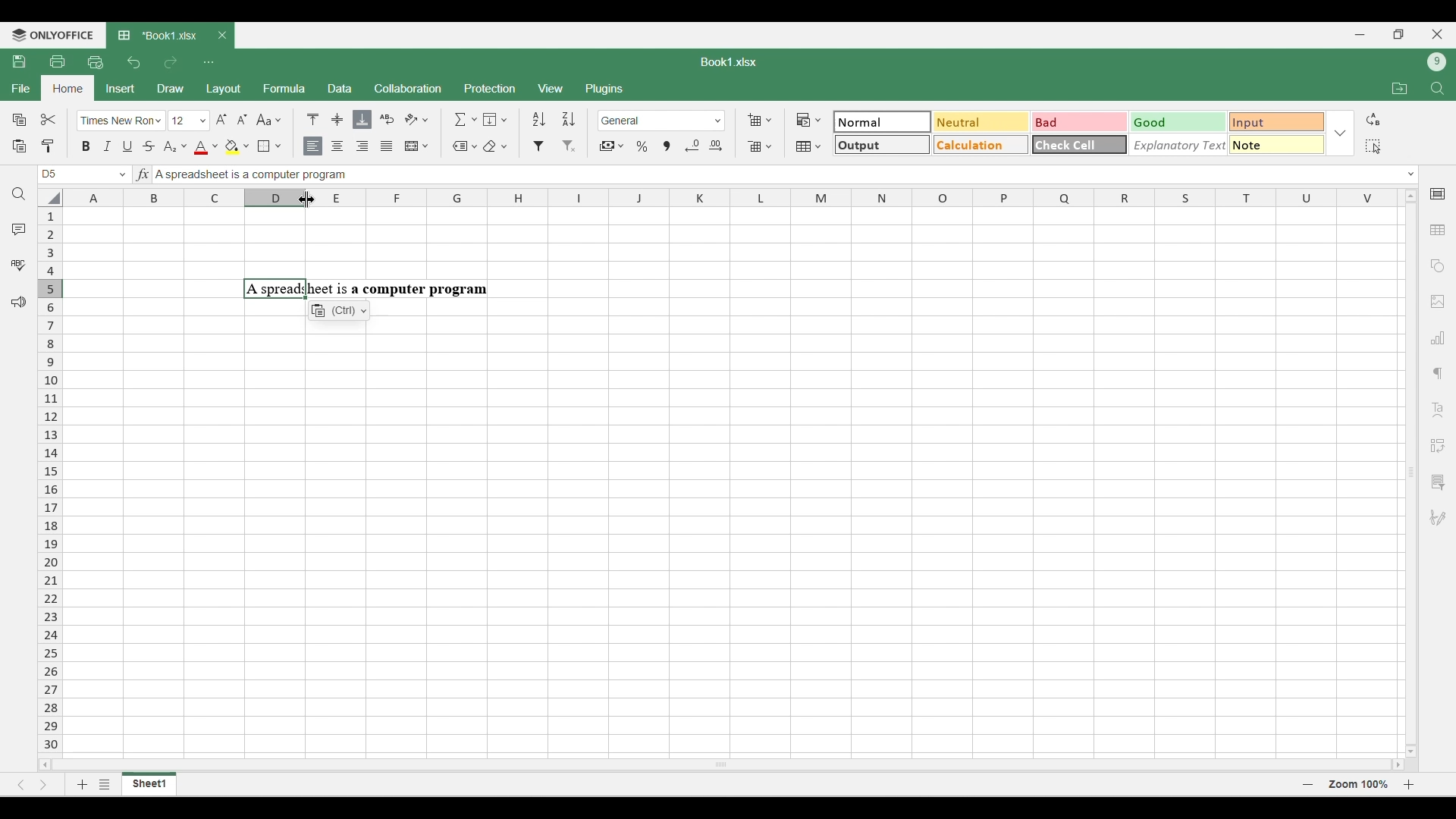 Image resolution: width=1456 pixels, height=819 pixels. What do you see at coordinates (160, 36) in the screenshot?
I see `Current sheet` at bounding box center [160, 36].